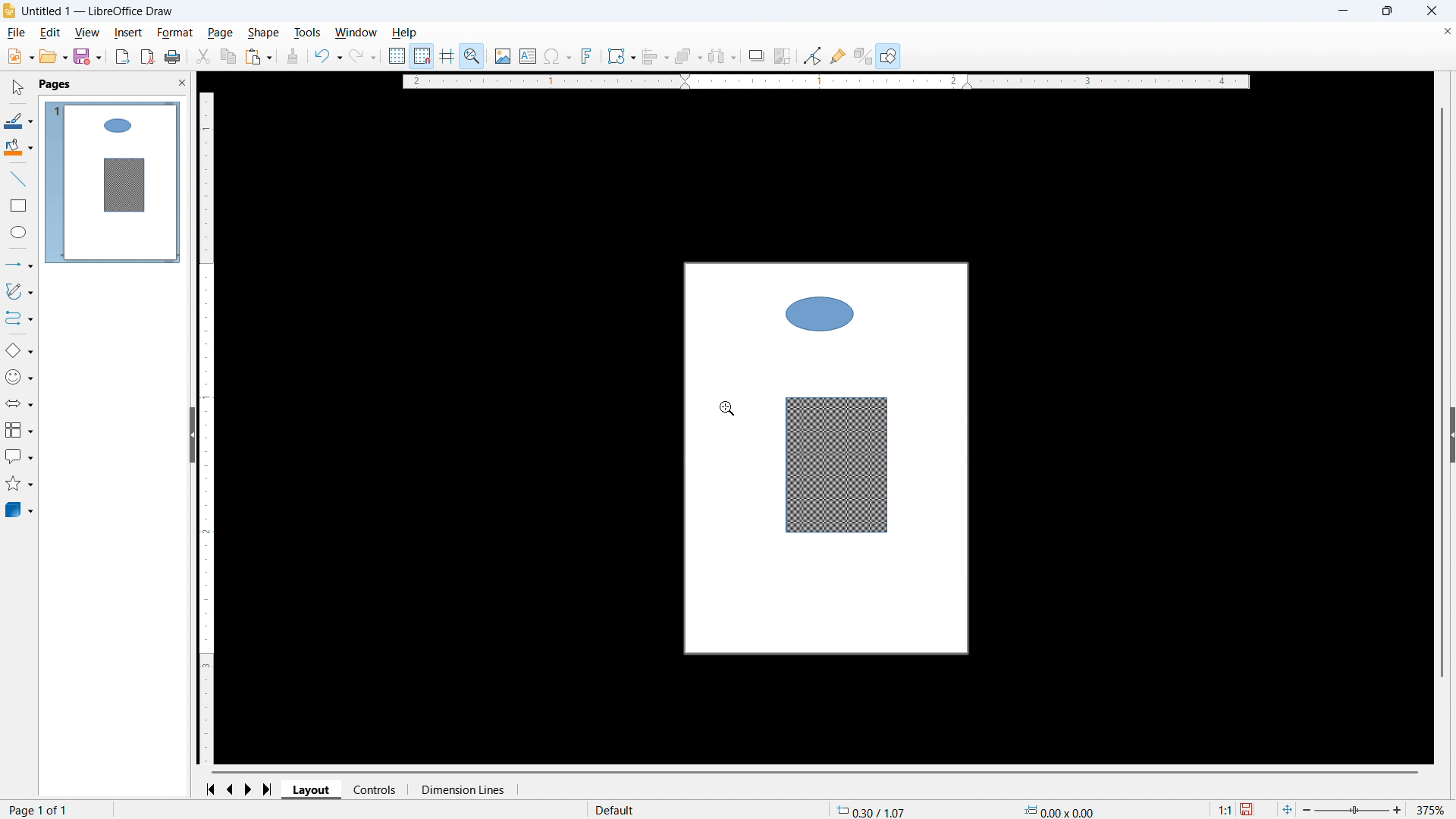 The width and height of the screenshot is (1456, 819). Describe the element at coordinates (1430, 11) in the screenshot. I see `close ` at that location.